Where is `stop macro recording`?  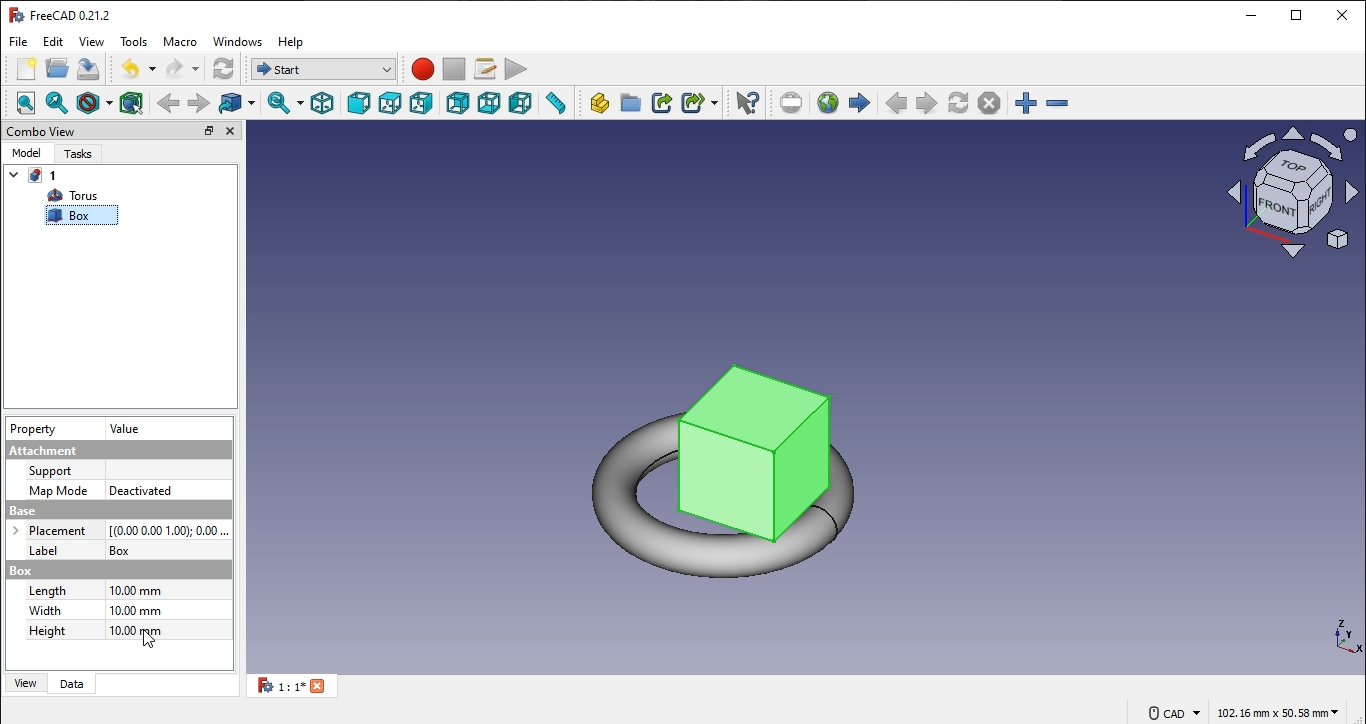
stop macro recording is located at coordinates (453, 70).